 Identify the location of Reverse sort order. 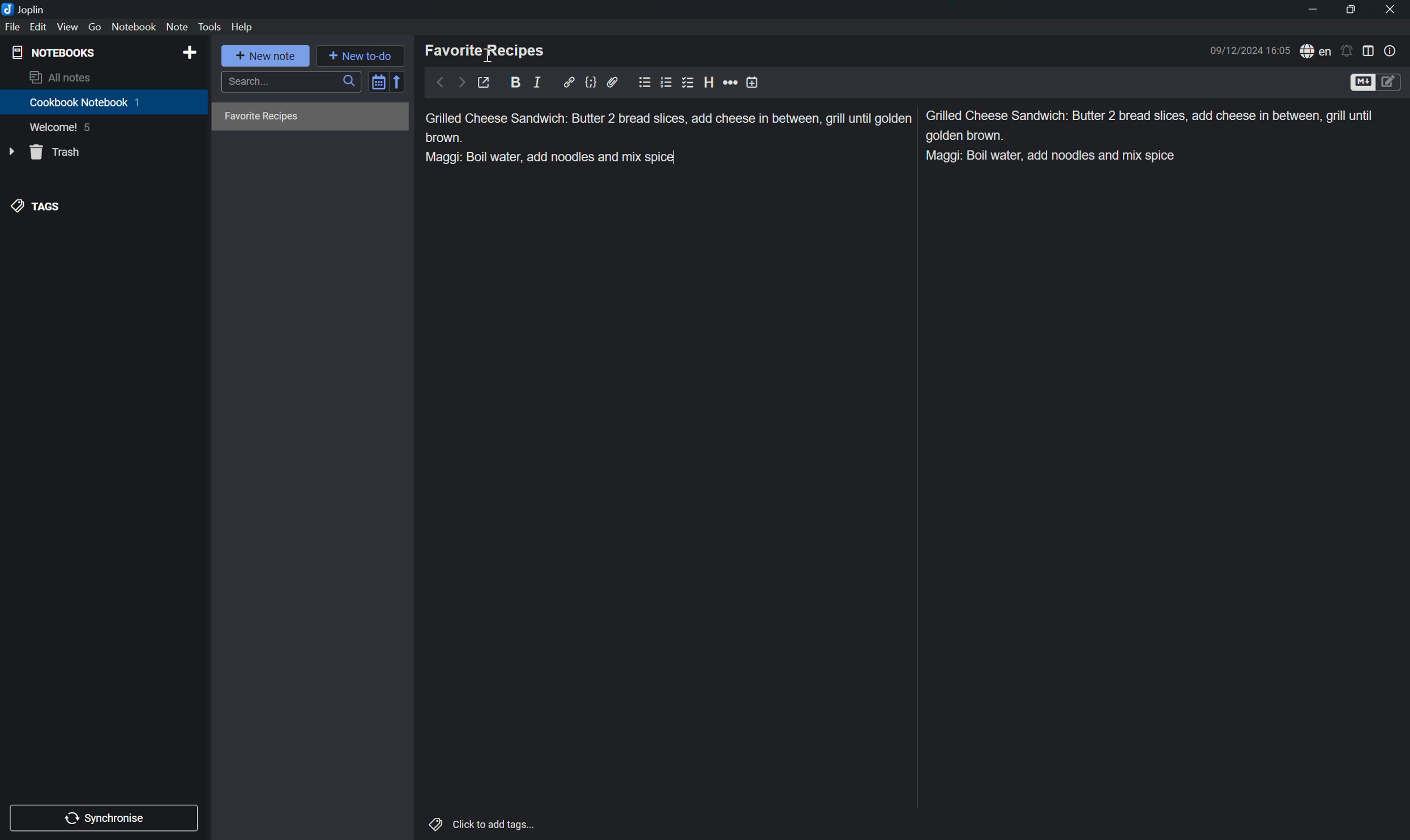
(397, 82).